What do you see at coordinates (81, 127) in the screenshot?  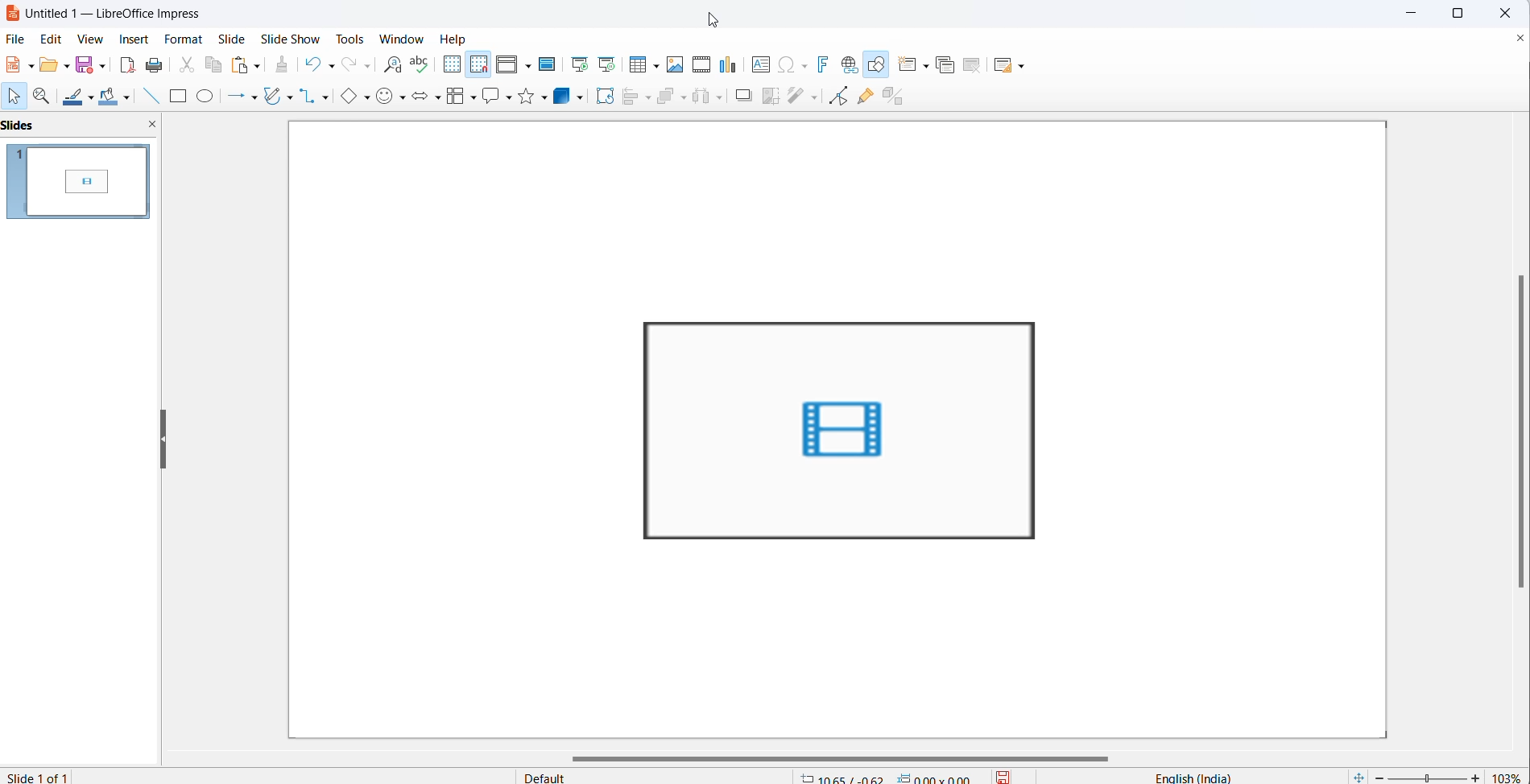 I see `slides and close slidepane` at bounding box center [81, 127].